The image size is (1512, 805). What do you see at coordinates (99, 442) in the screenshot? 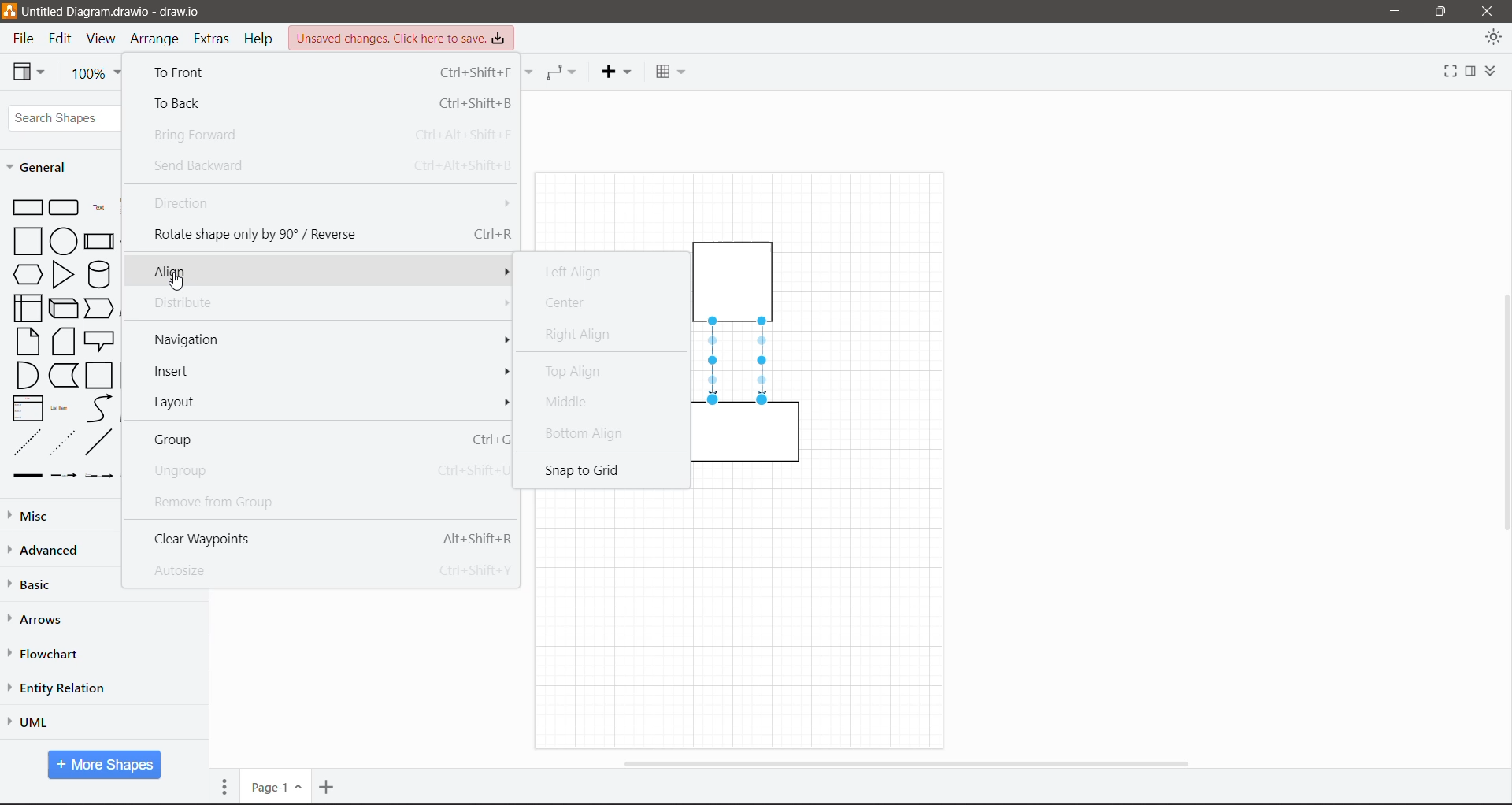
I see `line` at bounding box center [99, 442].